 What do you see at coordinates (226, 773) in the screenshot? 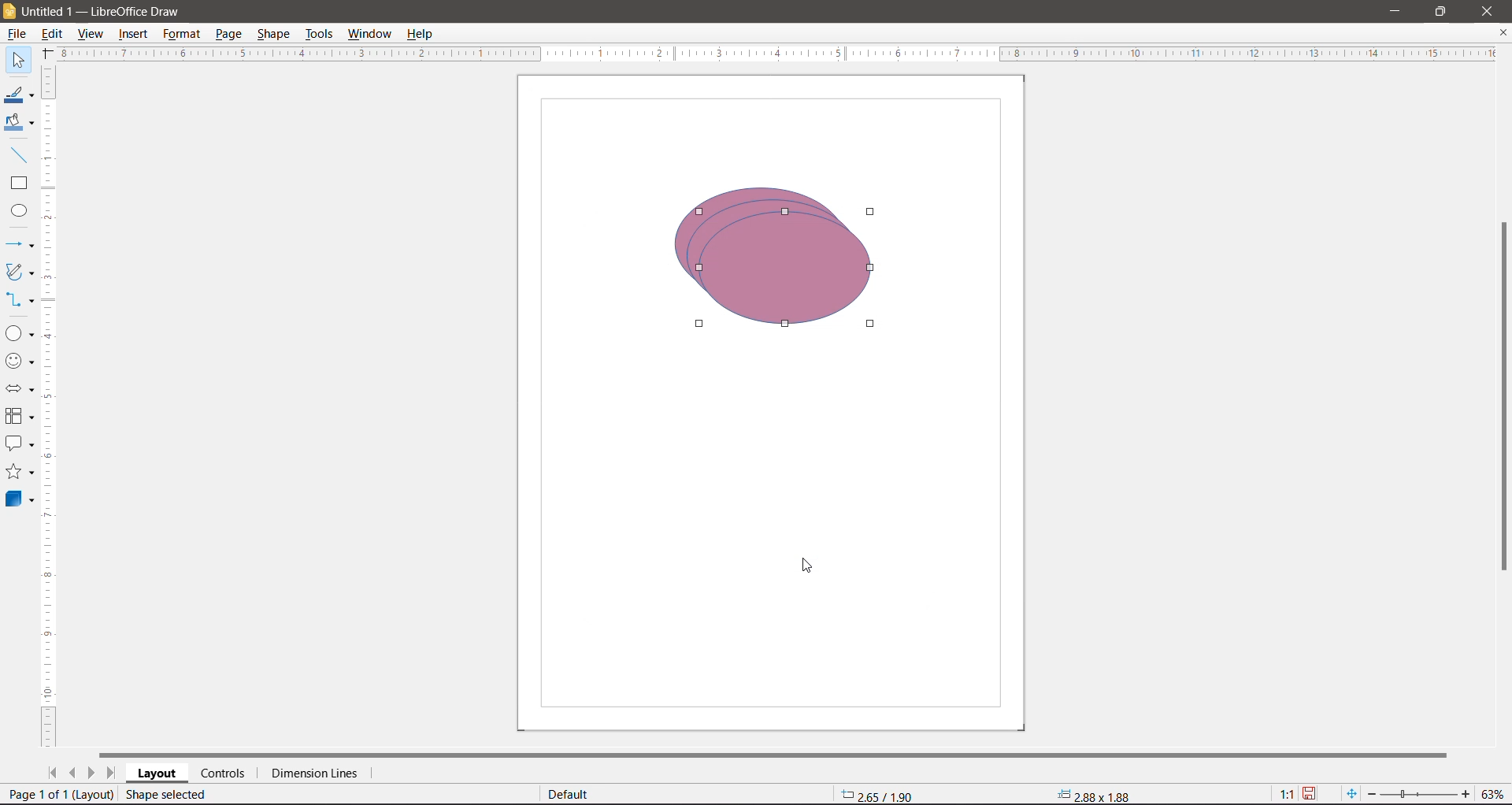
I see `Controls` at bounding box center [226, 773].